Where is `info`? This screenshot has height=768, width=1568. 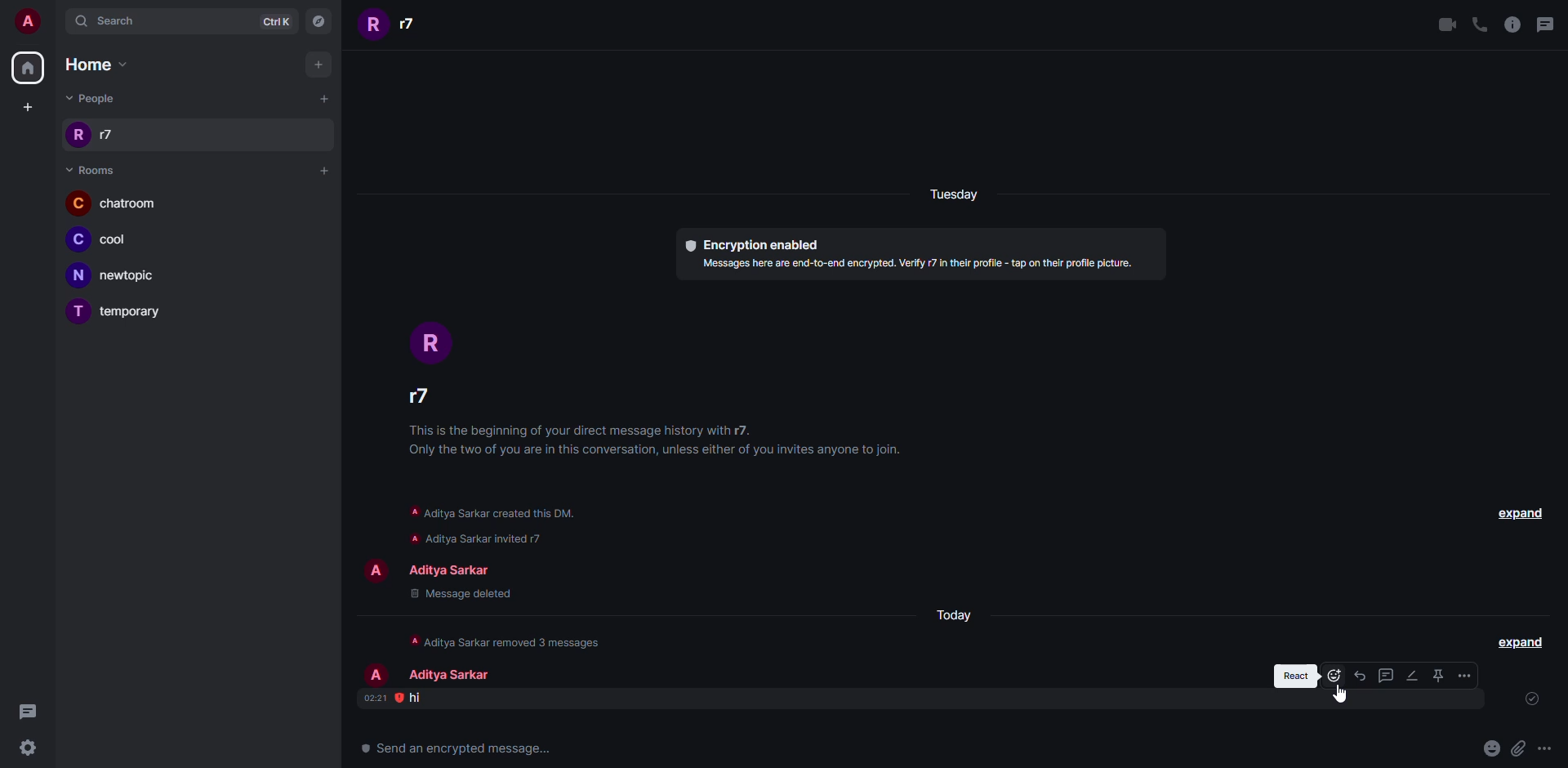
info is located at coordinates (512, 640).